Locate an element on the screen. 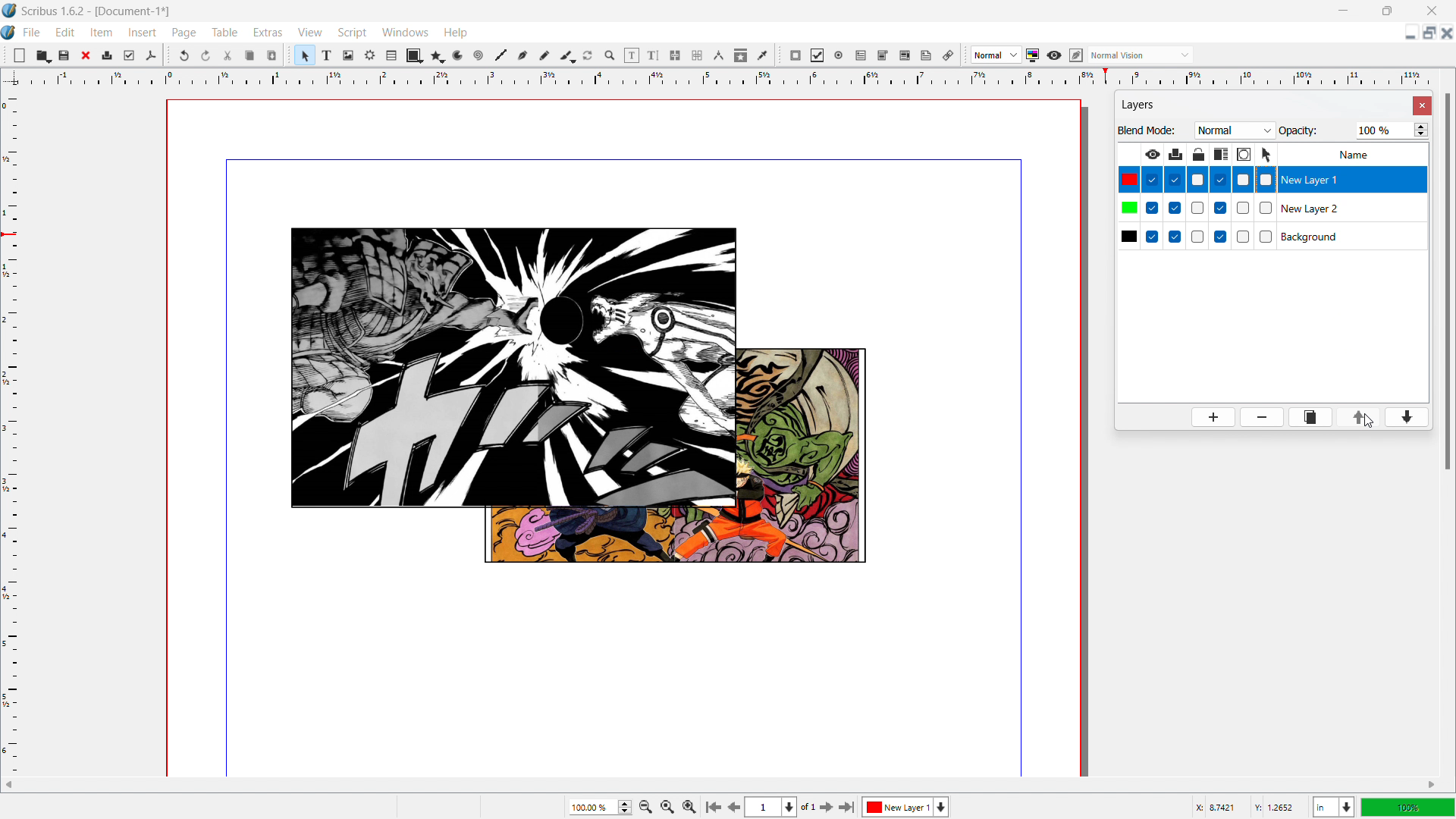 Image resolution: width=1456 pixels, height=819 pixels. opacity is located at coordinates (1392, 130).